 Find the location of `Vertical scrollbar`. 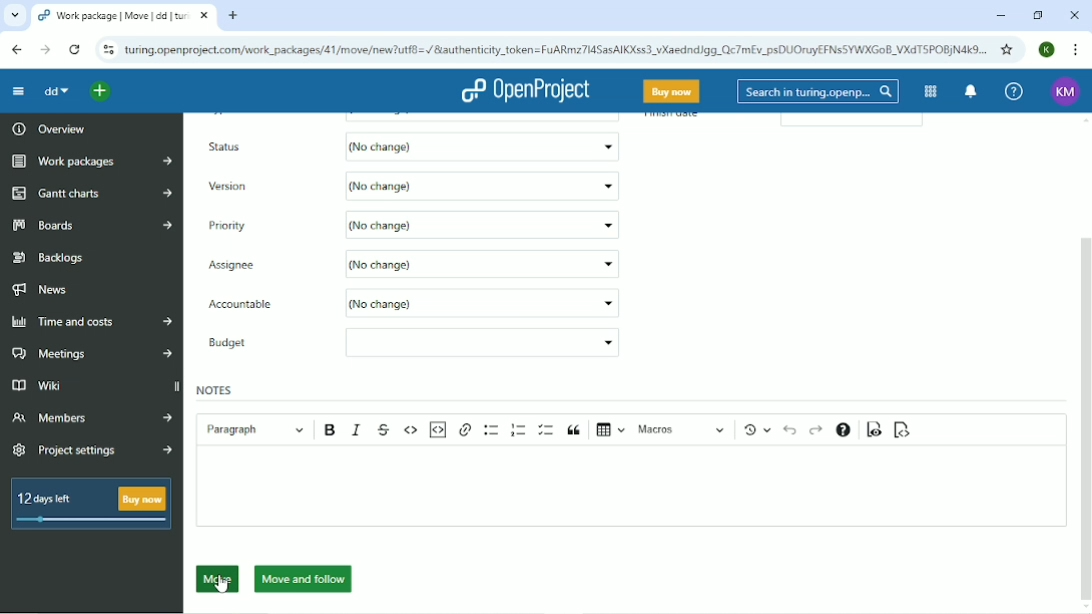

Vertical scrollbar is located at coordinates (1083, 307).